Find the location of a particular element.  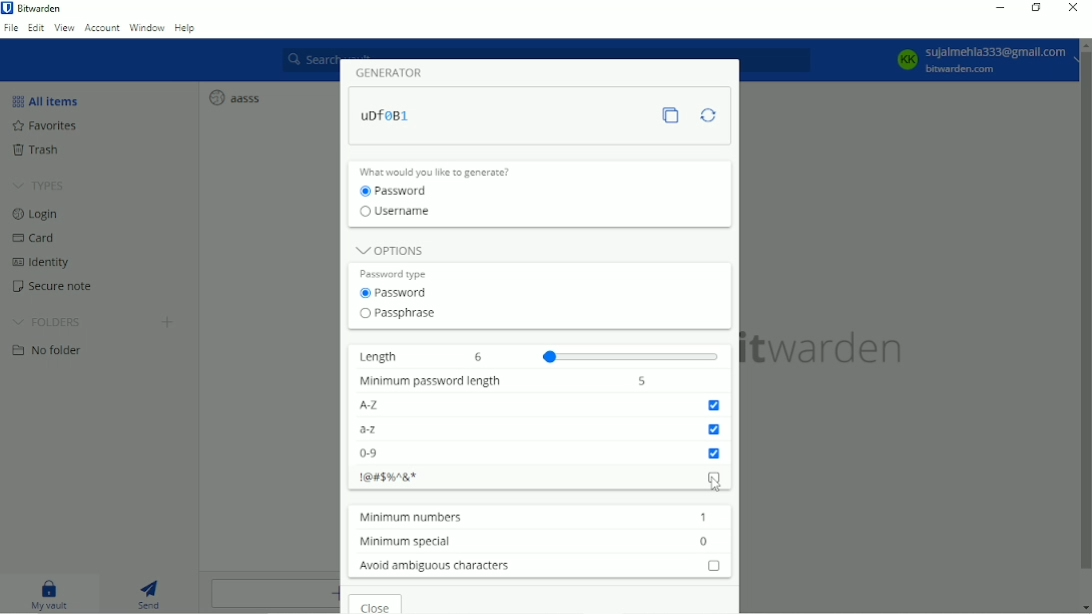

All items is located at coordinates (49, 100).